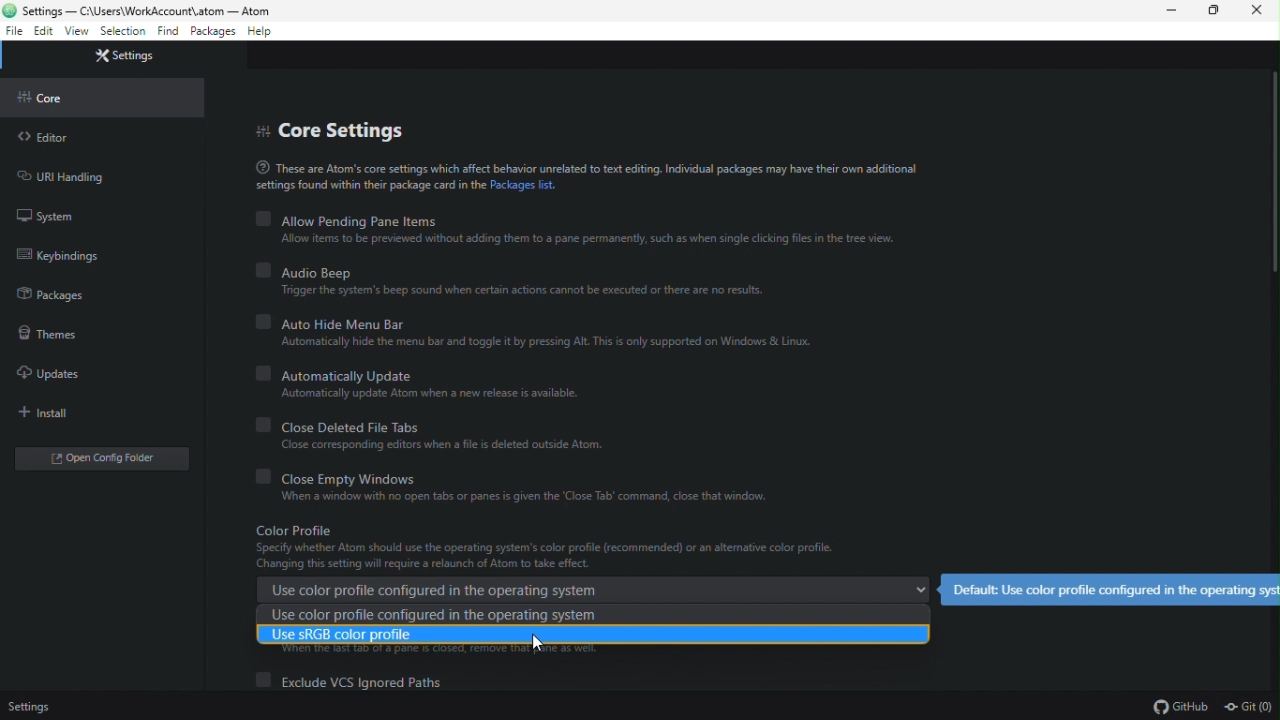 The image size is (1280, 720). Describe the element at coordinates (78, 32) in the screenshot. I see `view ` at that location.